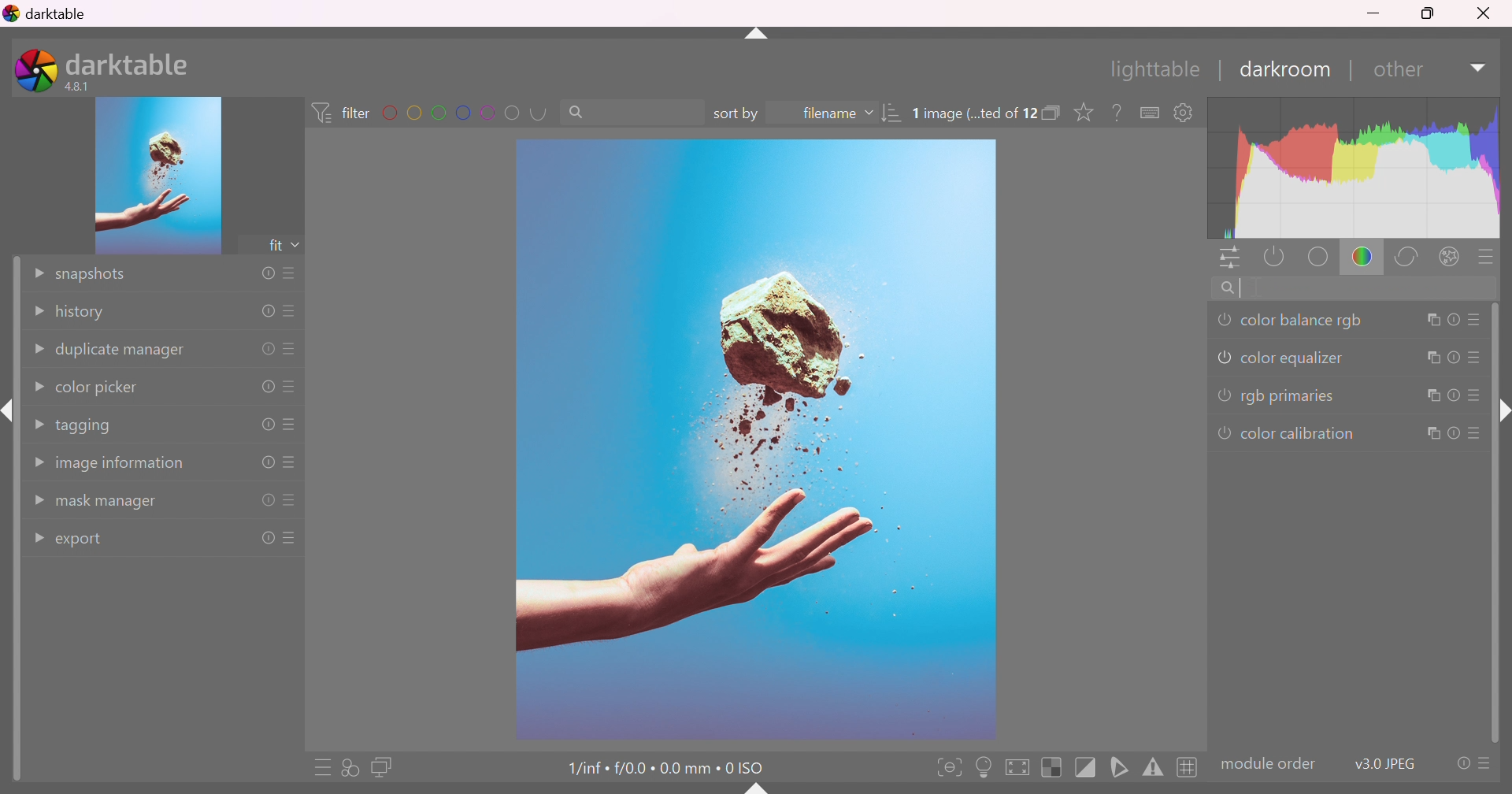  Describe the element at coordinates (272, 246) in the screenshot. I see `fit` at that location.